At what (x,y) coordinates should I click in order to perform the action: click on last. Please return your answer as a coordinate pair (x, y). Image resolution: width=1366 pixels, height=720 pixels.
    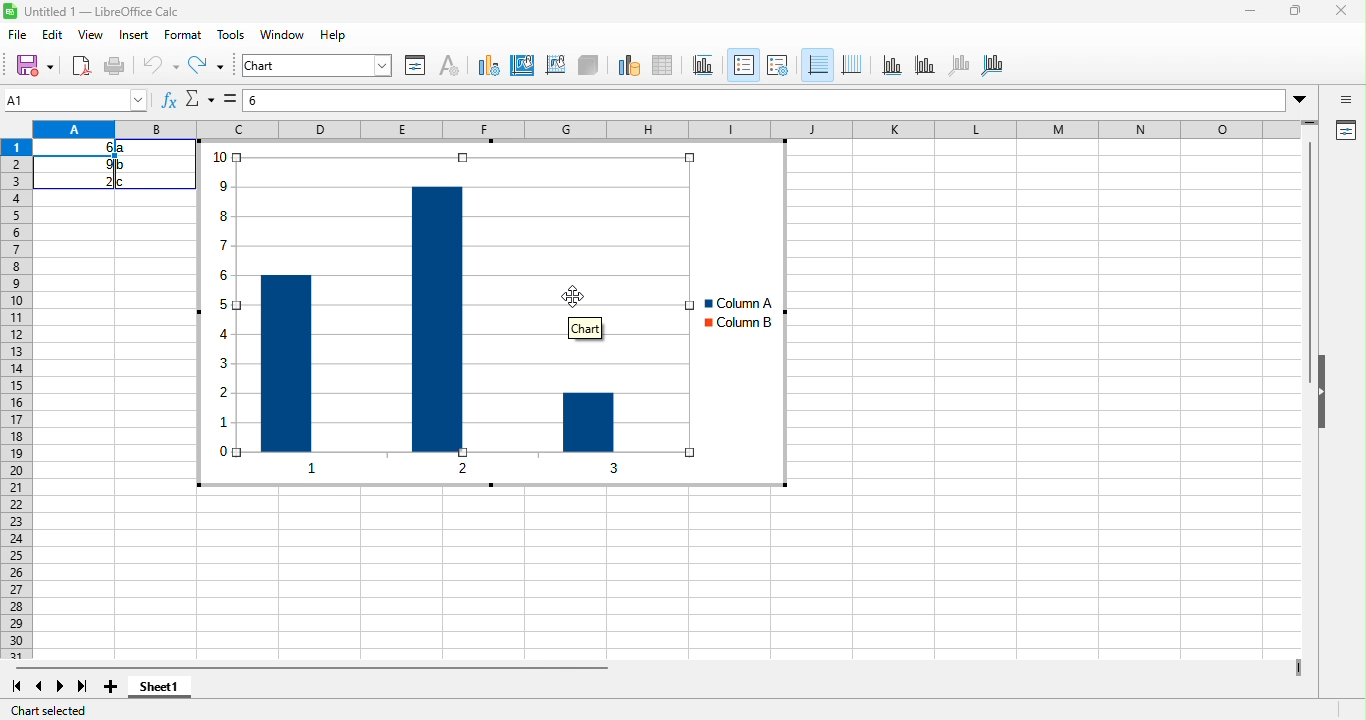
    Looking at the image, I should click on (85, 688).